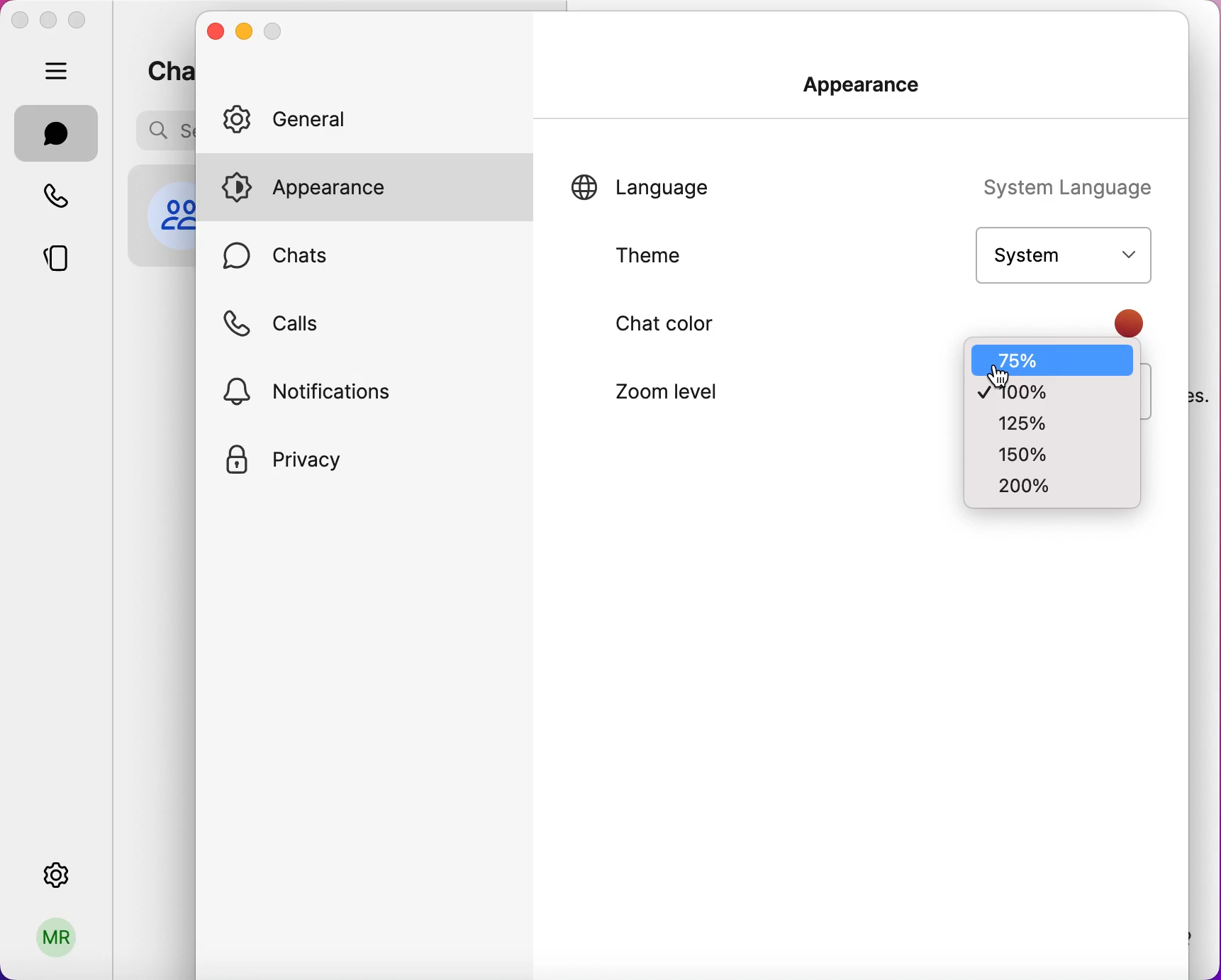 This screenshot has height=980, width=1221. I want to click on theme, so click(677, 257).